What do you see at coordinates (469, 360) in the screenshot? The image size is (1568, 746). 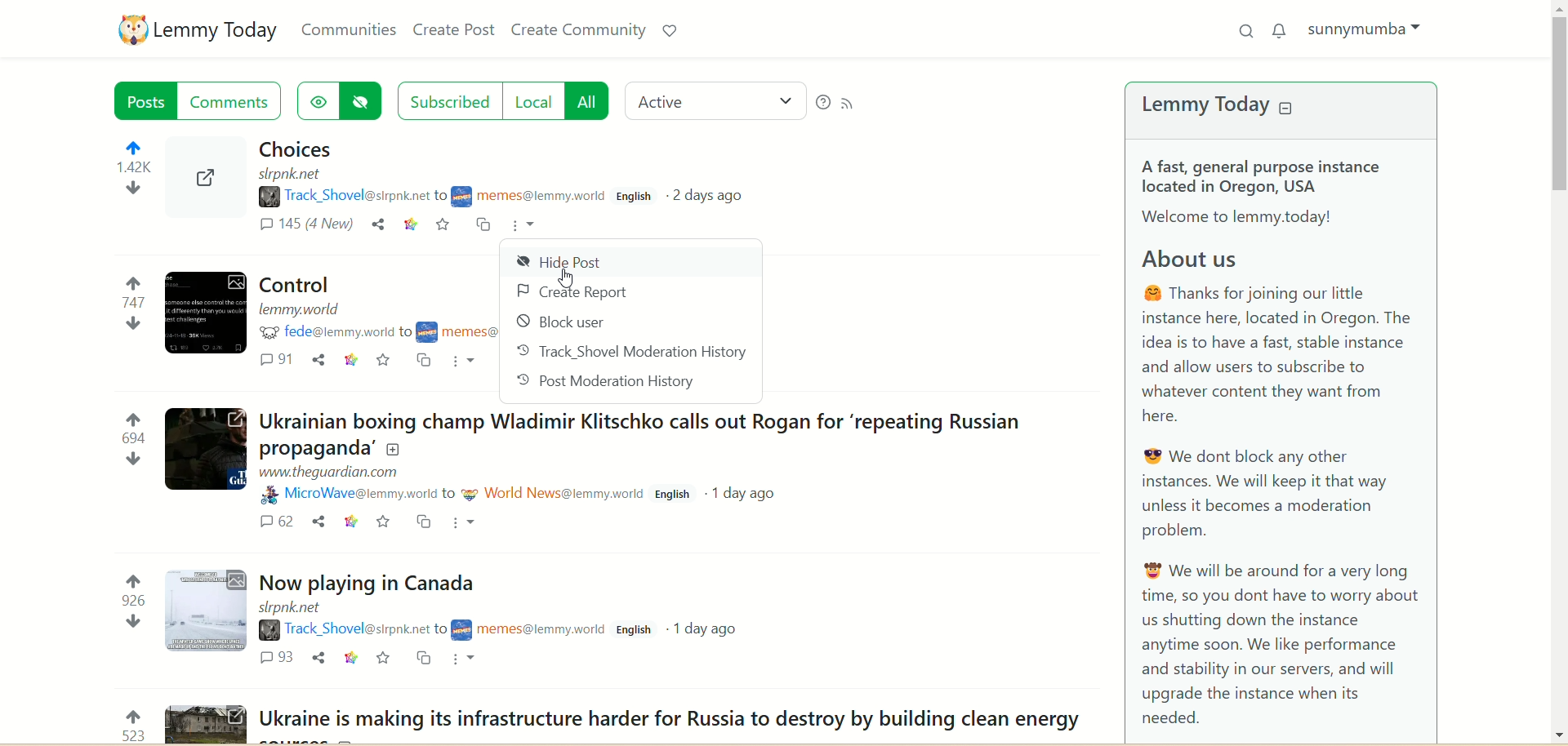 I see `More` at bounding box center [469, 360].